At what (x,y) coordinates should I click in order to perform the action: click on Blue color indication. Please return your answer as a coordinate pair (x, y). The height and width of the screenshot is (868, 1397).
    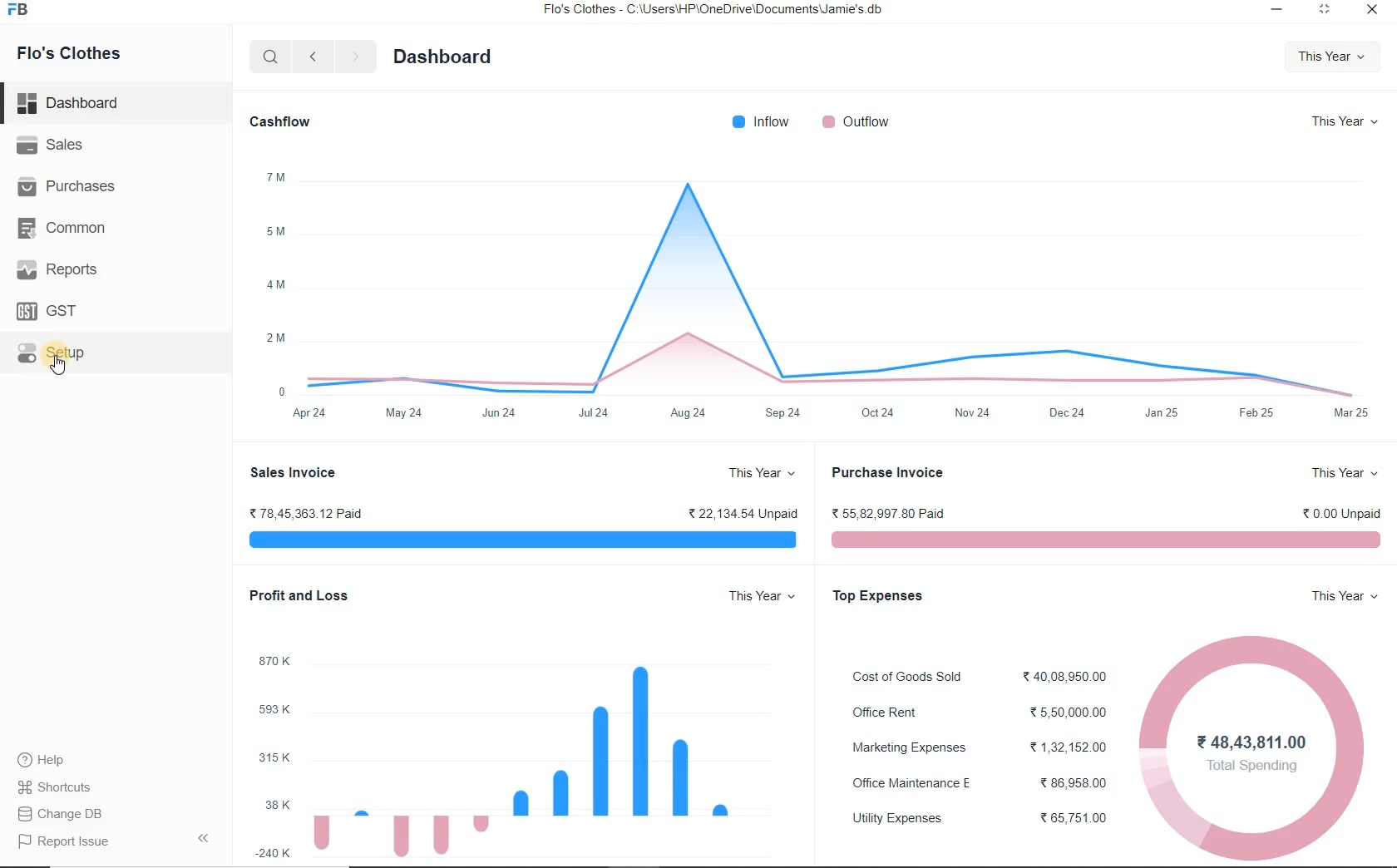
    Looking at the image, I should click on (523, 539).